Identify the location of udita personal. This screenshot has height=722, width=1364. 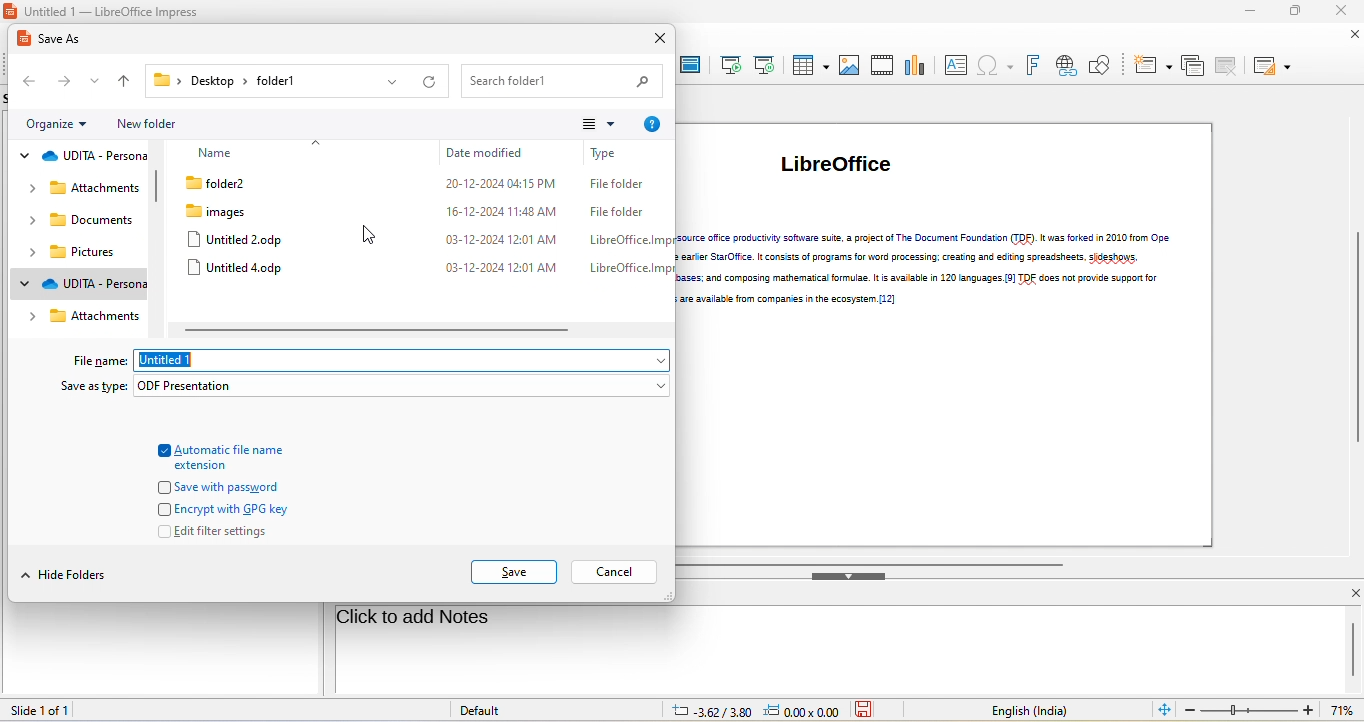
(85, 156).